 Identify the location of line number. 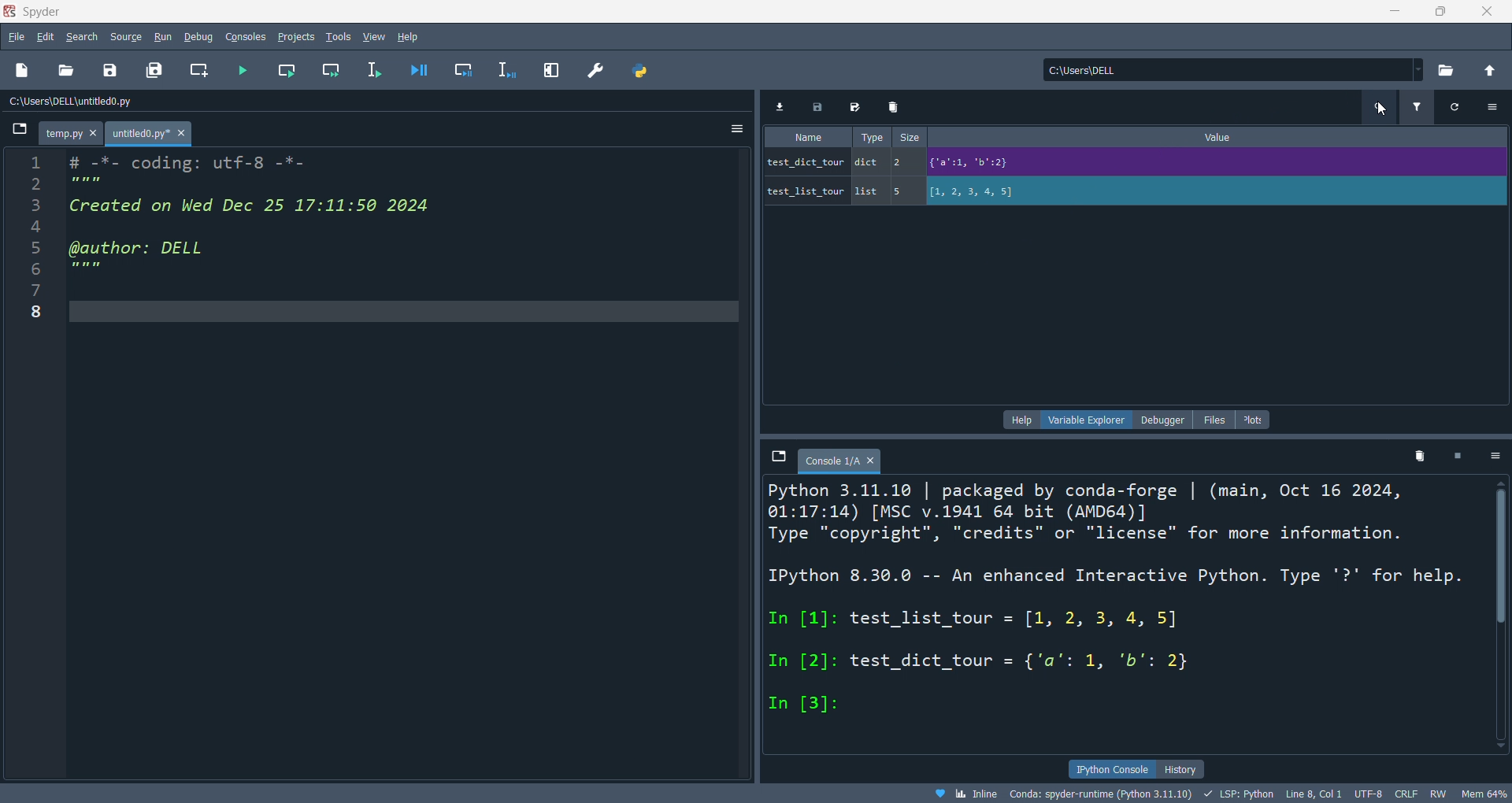
(35, 468).